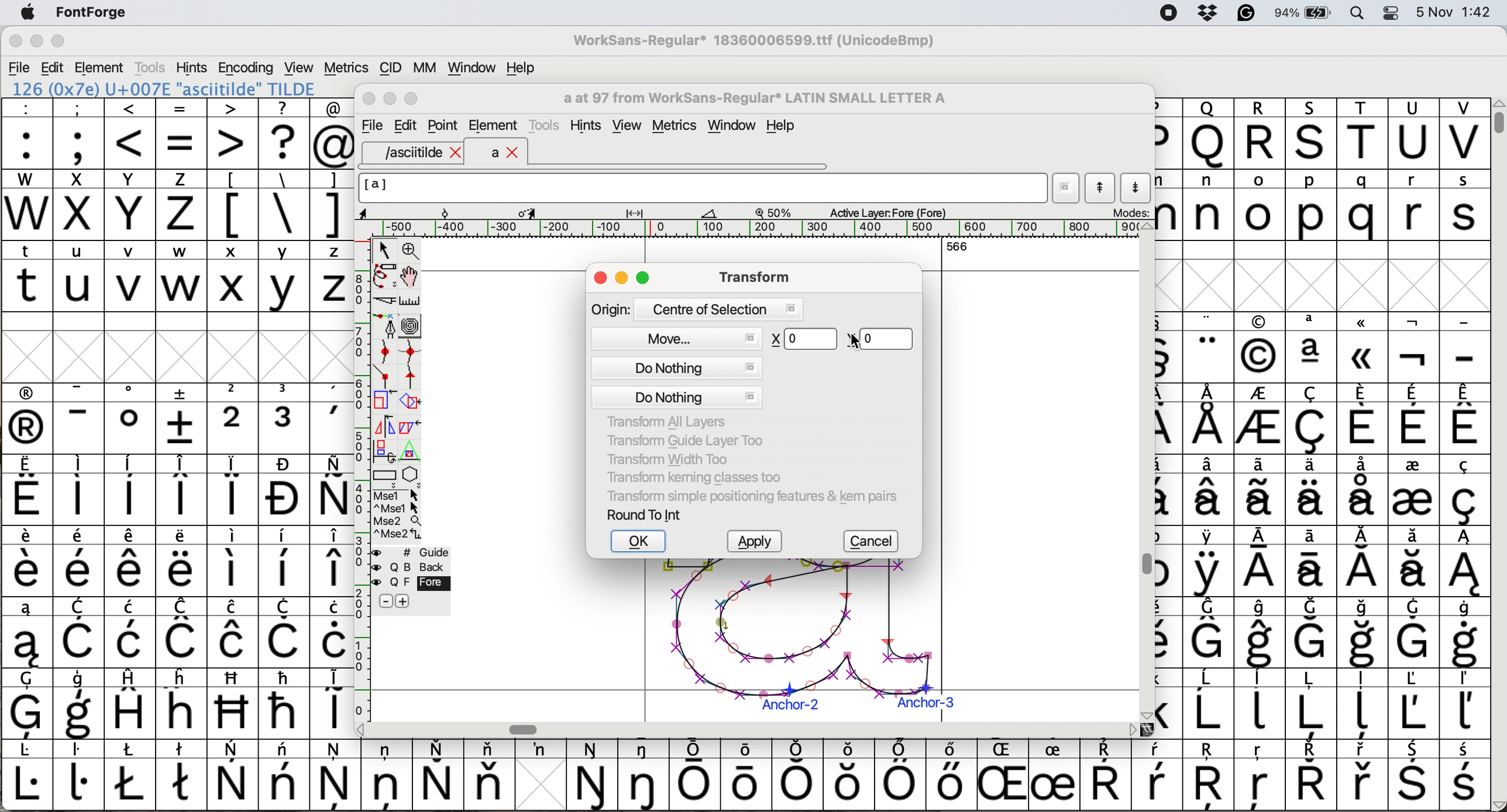 The width and height of the screenshot is (1507, 812). Describe the element at coordinates (694, 477) in the screenshot. I see `transform kerning classes too` at that location.